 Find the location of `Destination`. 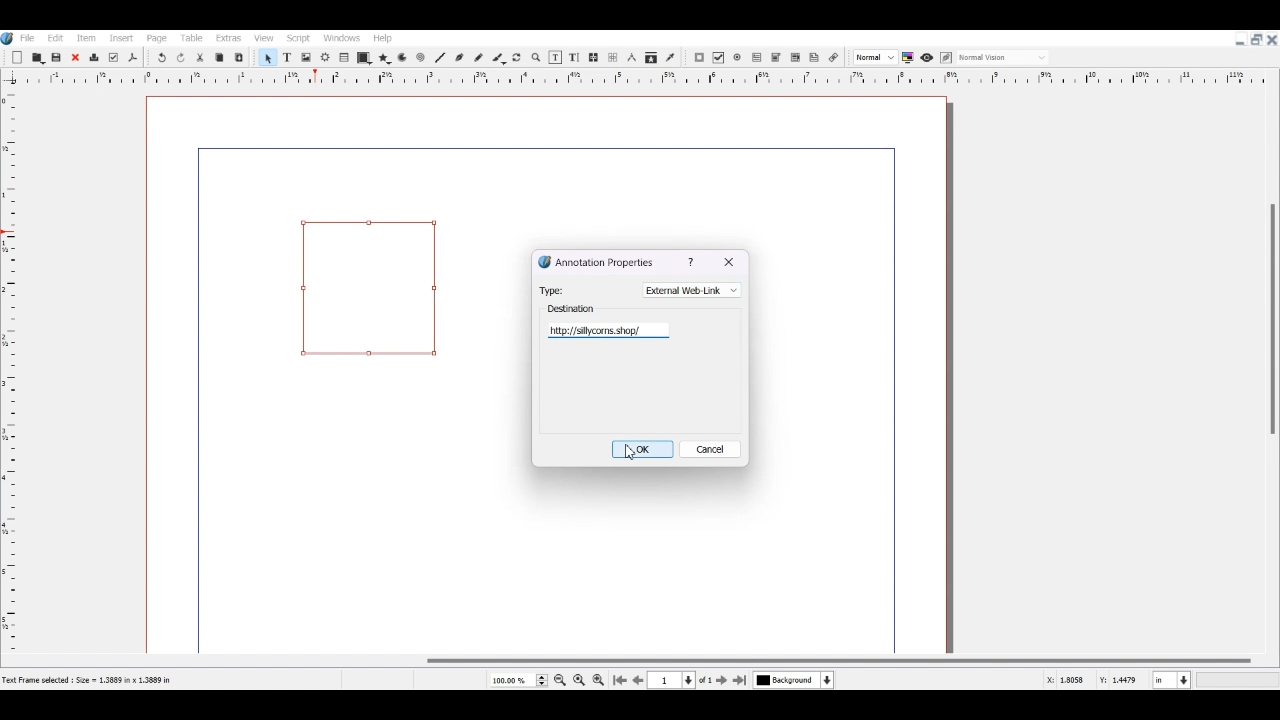

Destination is located at coordinates (595, 311).